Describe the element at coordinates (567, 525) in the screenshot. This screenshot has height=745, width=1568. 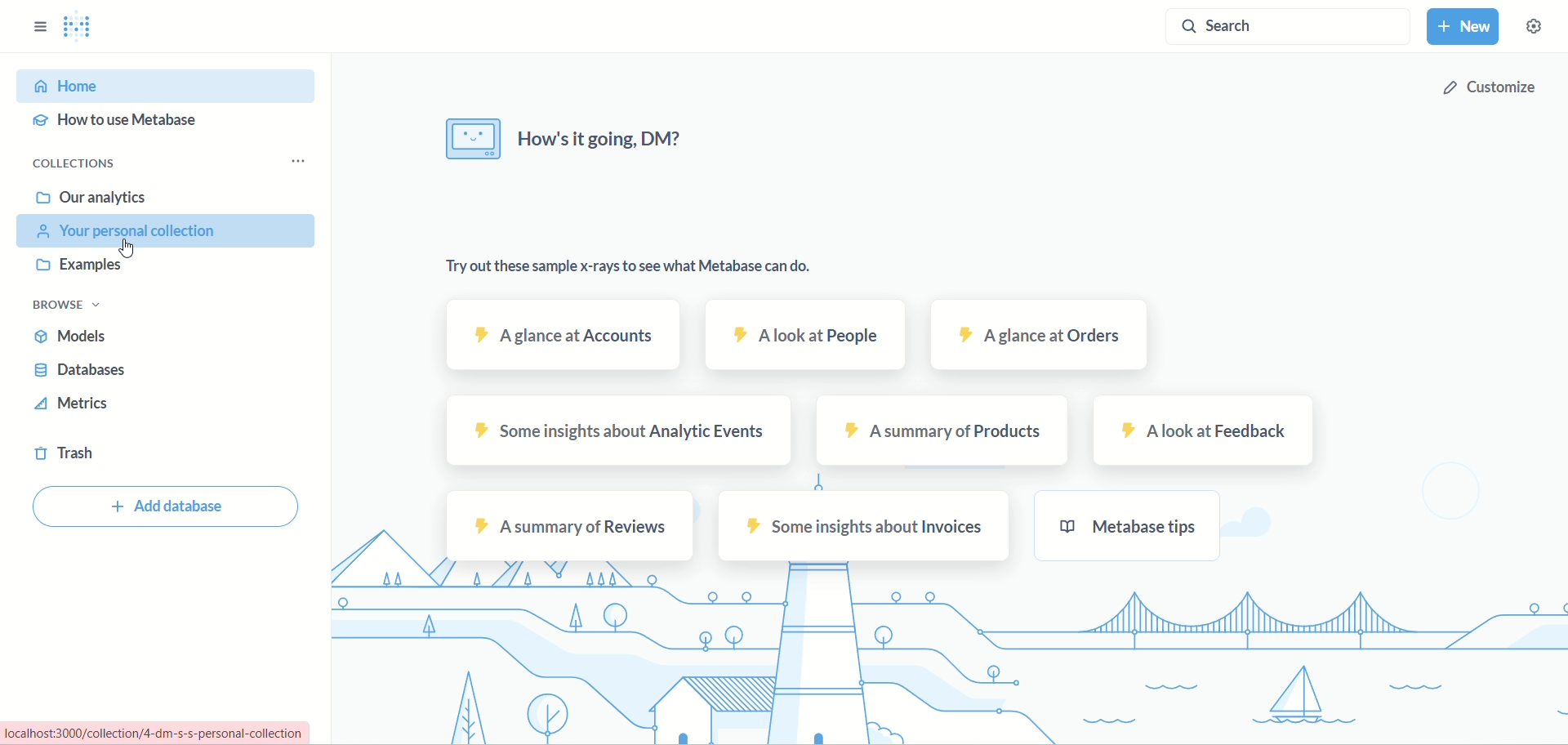
I see `A summary of reviews` at that location.